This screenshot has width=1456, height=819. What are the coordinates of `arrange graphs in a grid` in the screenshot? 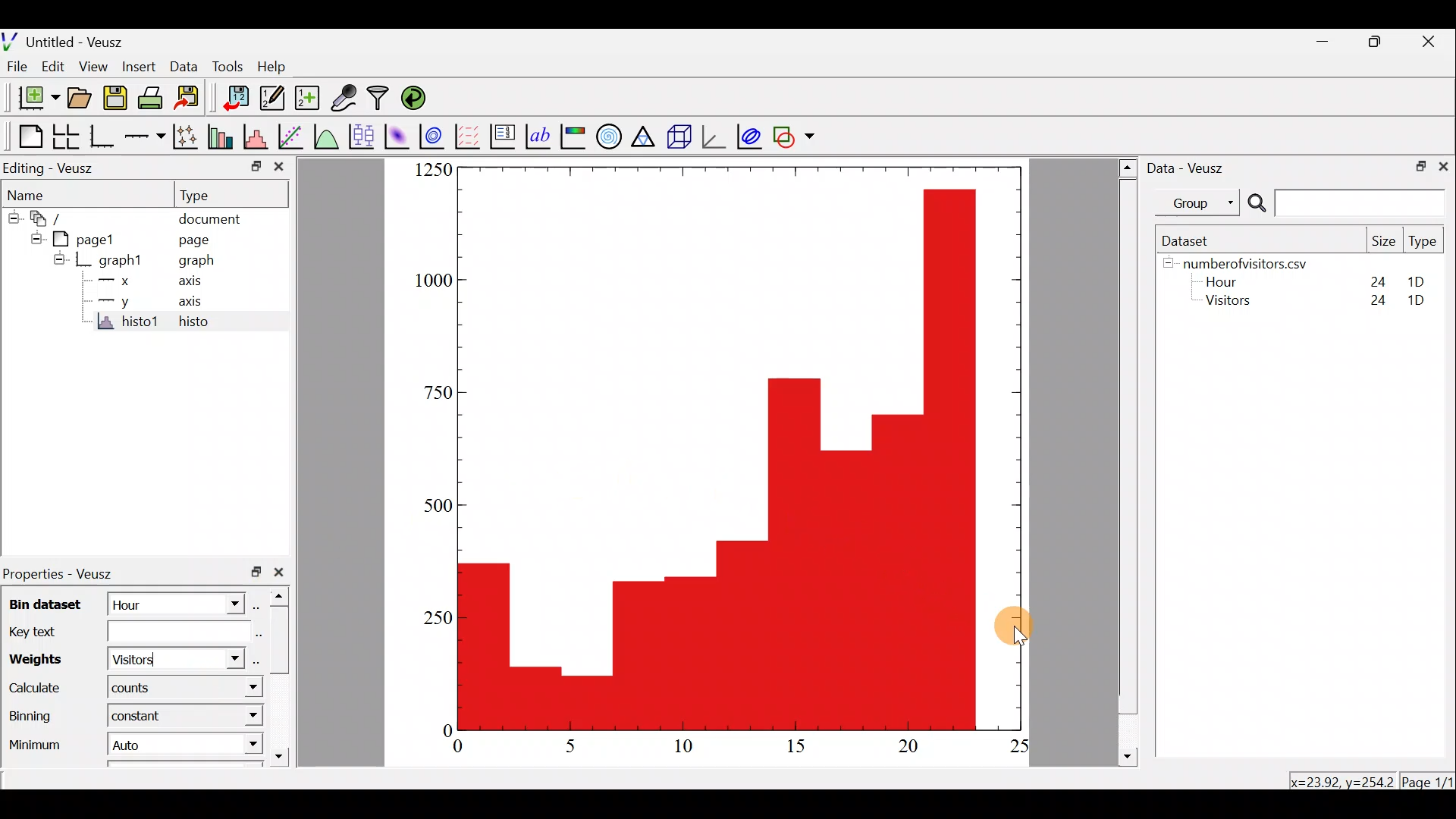 It's located at (65, 136).